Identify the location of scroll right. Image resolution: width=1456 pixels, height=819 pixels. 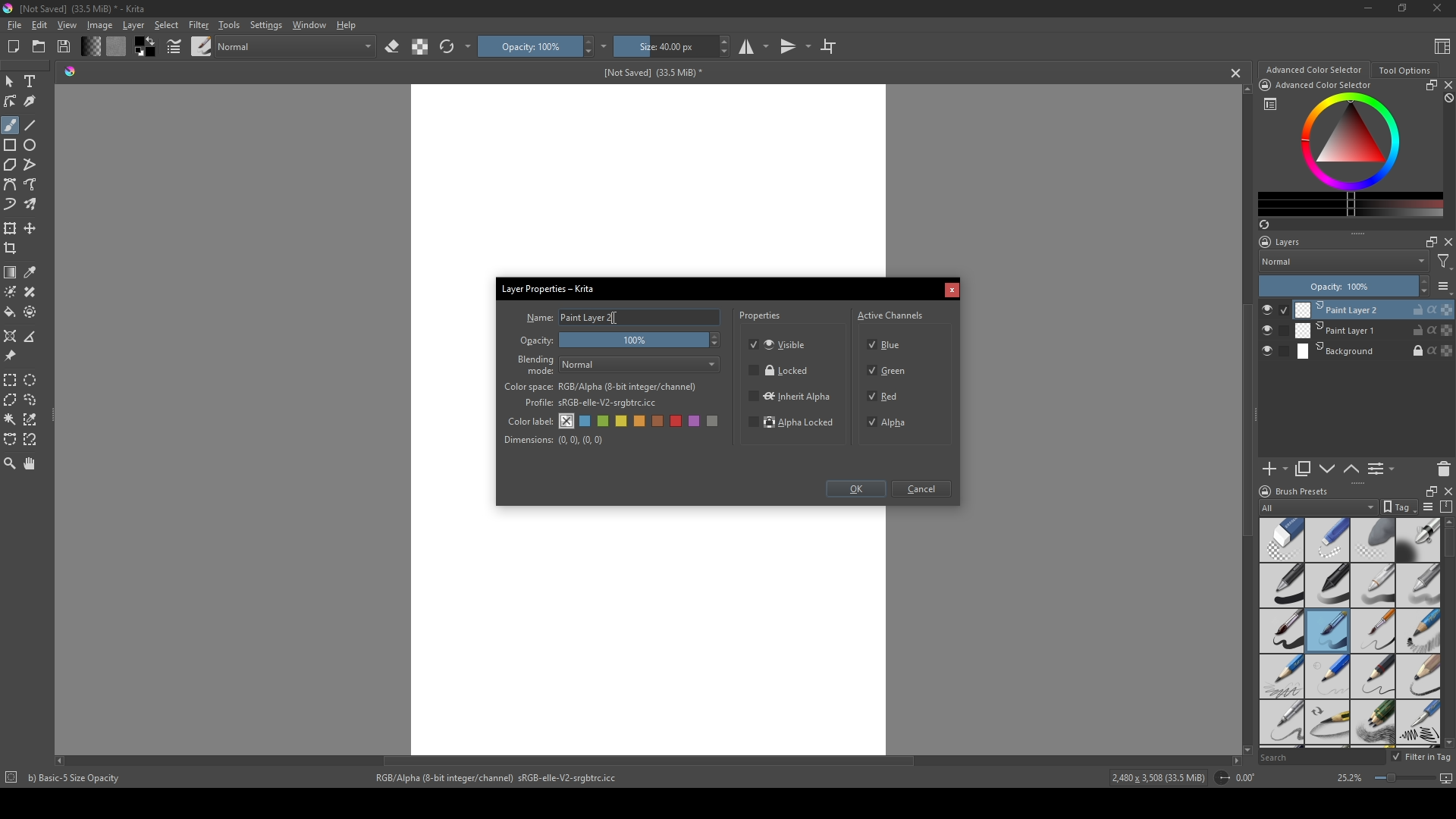
(1236, 761).